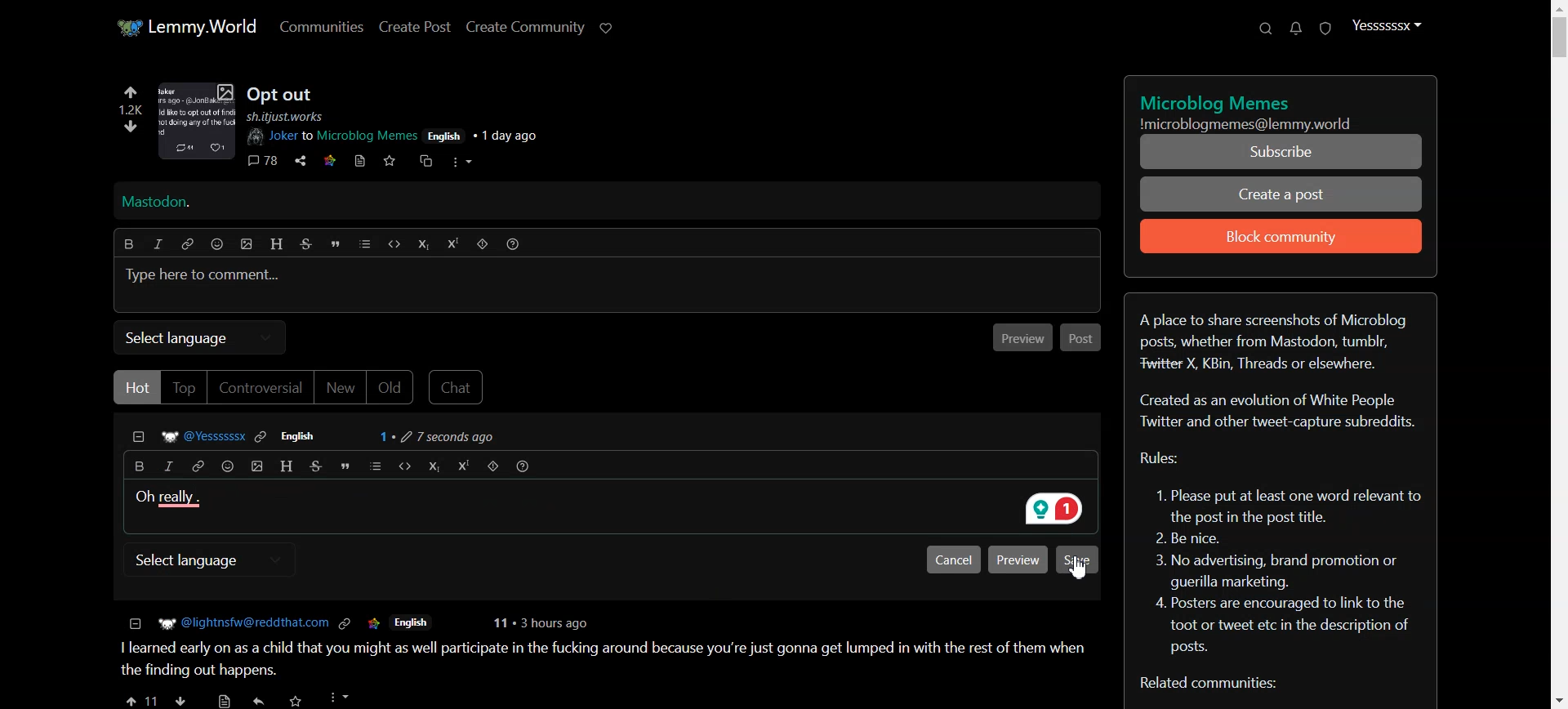 Image resolution: width=1568 pixels, height=709 pixels. What do you see at coordinates (130, 94) in the screenshot?
I see `upvote` at bounding box center [130, 94].